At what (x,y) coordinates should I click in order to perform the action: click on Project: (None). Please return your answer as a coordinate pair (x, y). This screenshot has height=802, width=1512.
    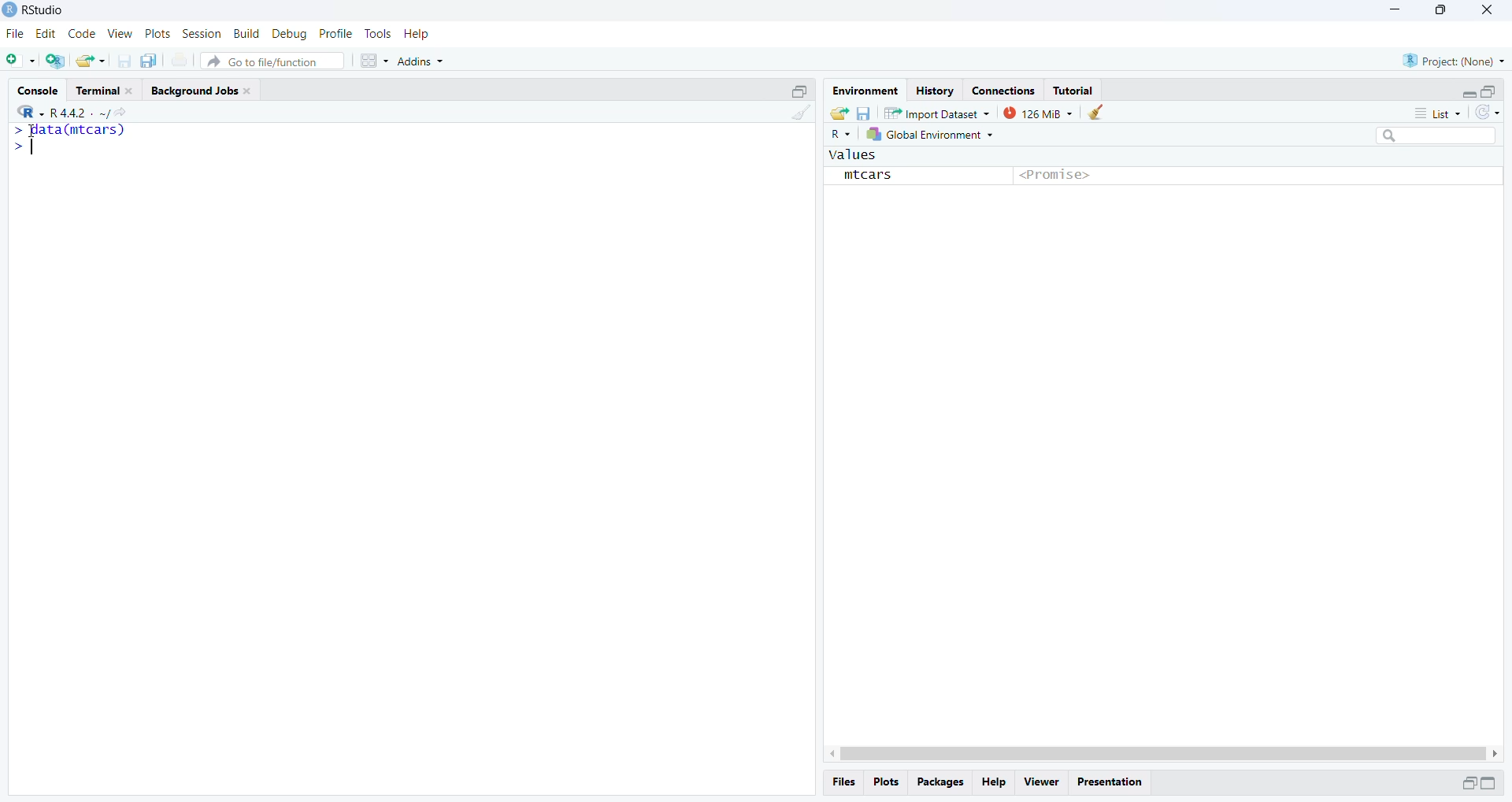
    Looking at the image, I should click on (1455, 60).